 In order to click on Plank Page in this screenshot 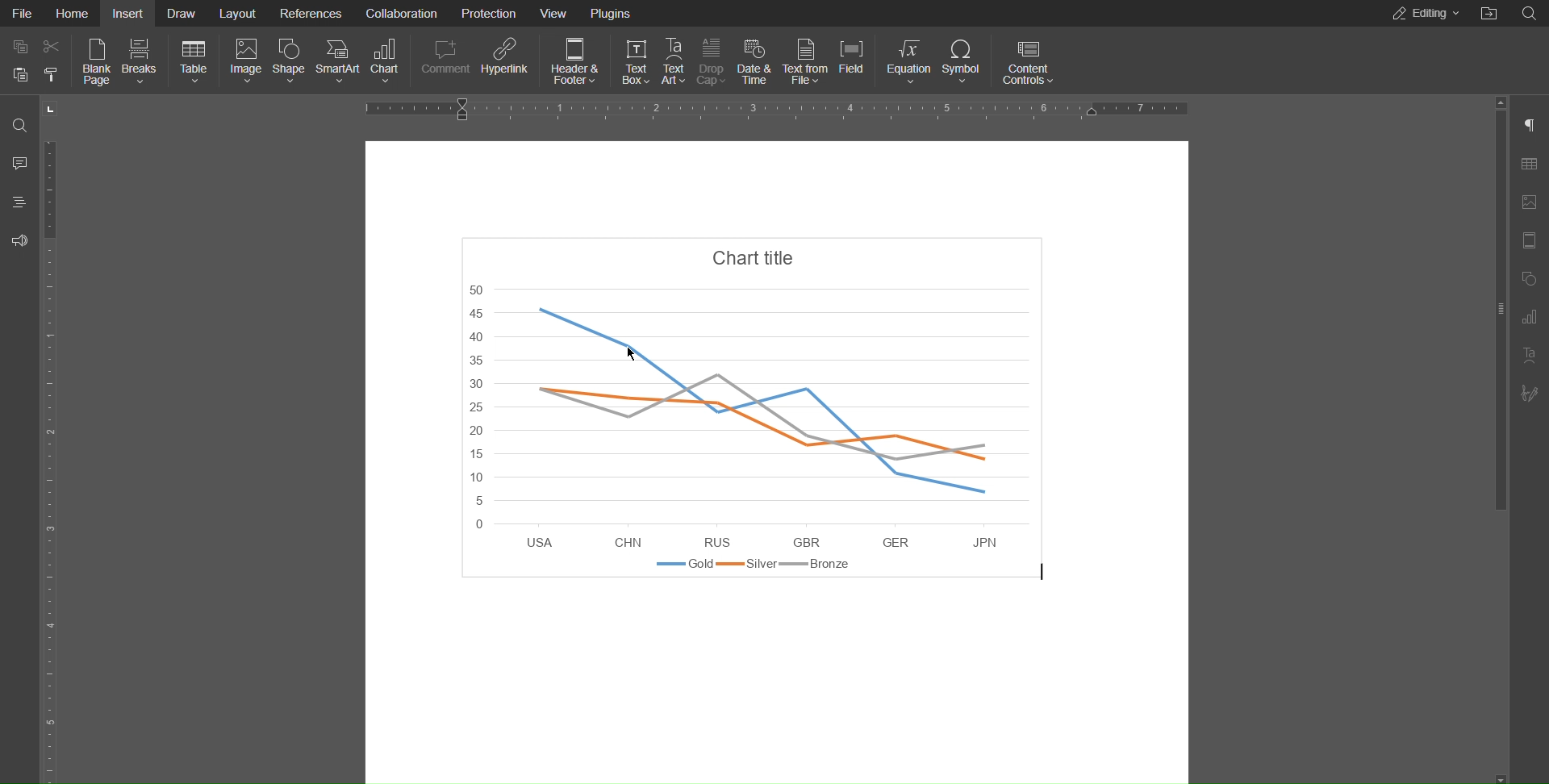, I will do `click(96, 65)`.